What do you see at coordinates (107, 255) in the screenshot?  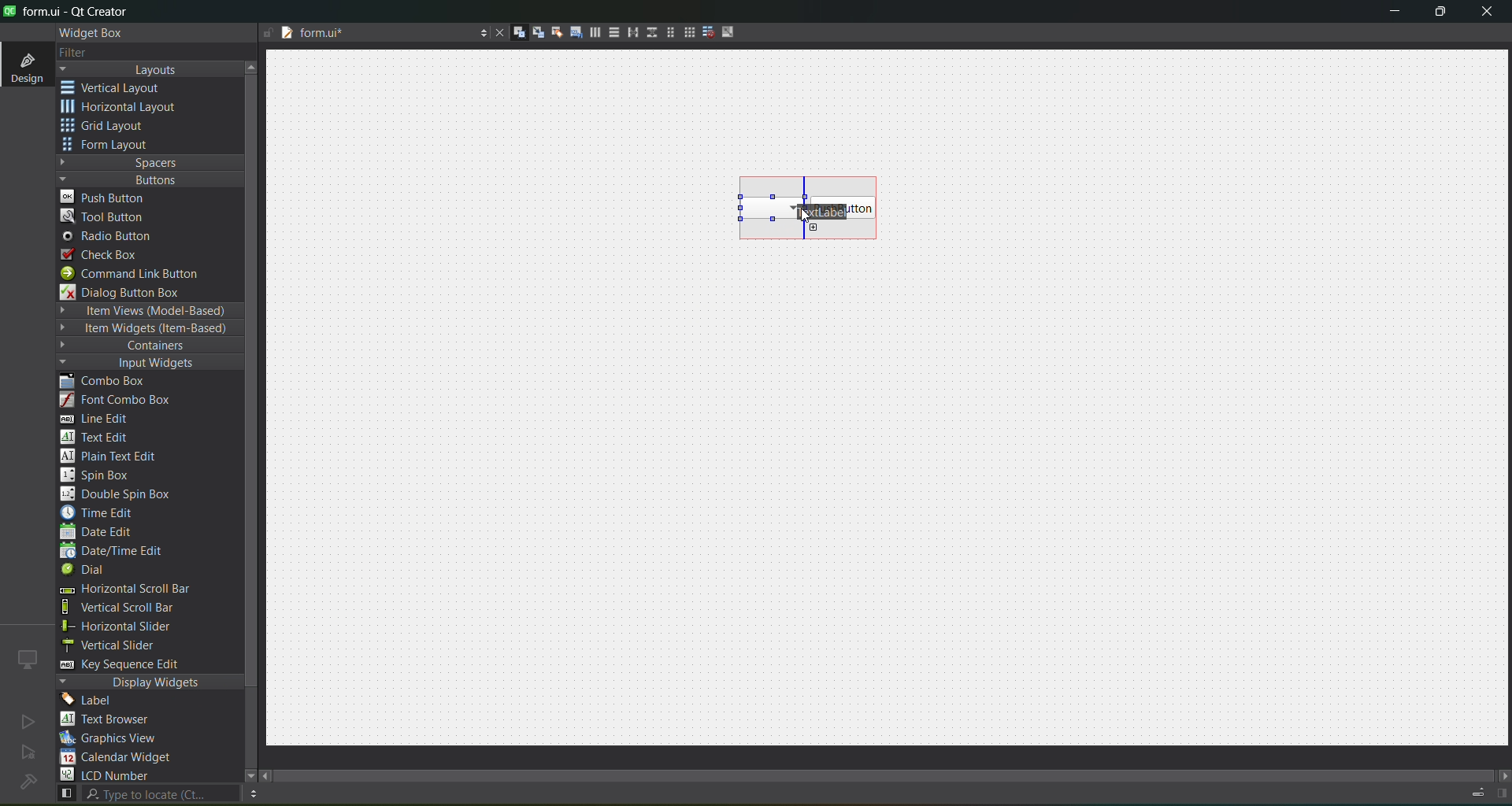 I see `check box` at bounding box center [107, 255].